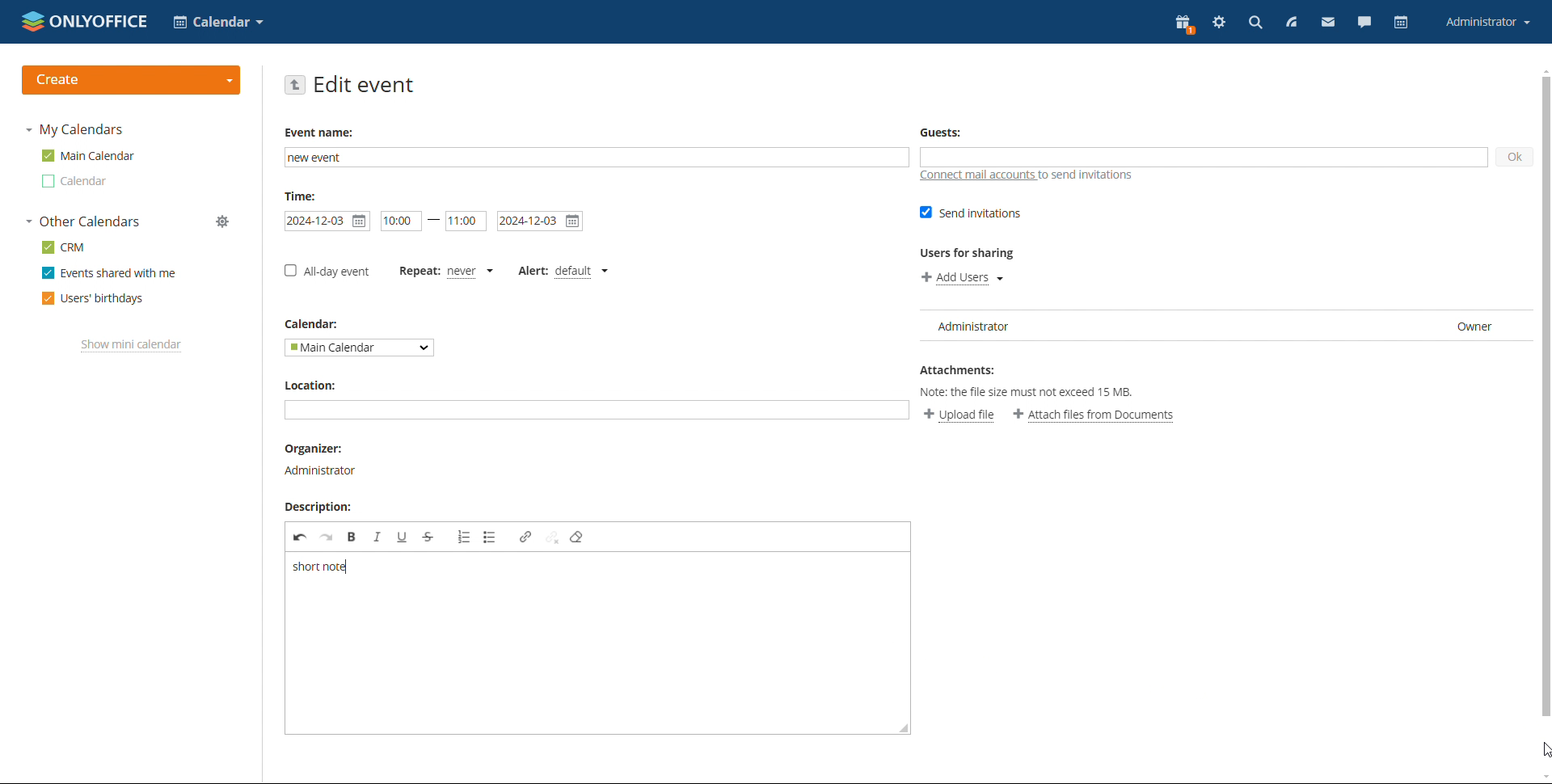  I want to click on all-day event checkbox, so click(327, 271).